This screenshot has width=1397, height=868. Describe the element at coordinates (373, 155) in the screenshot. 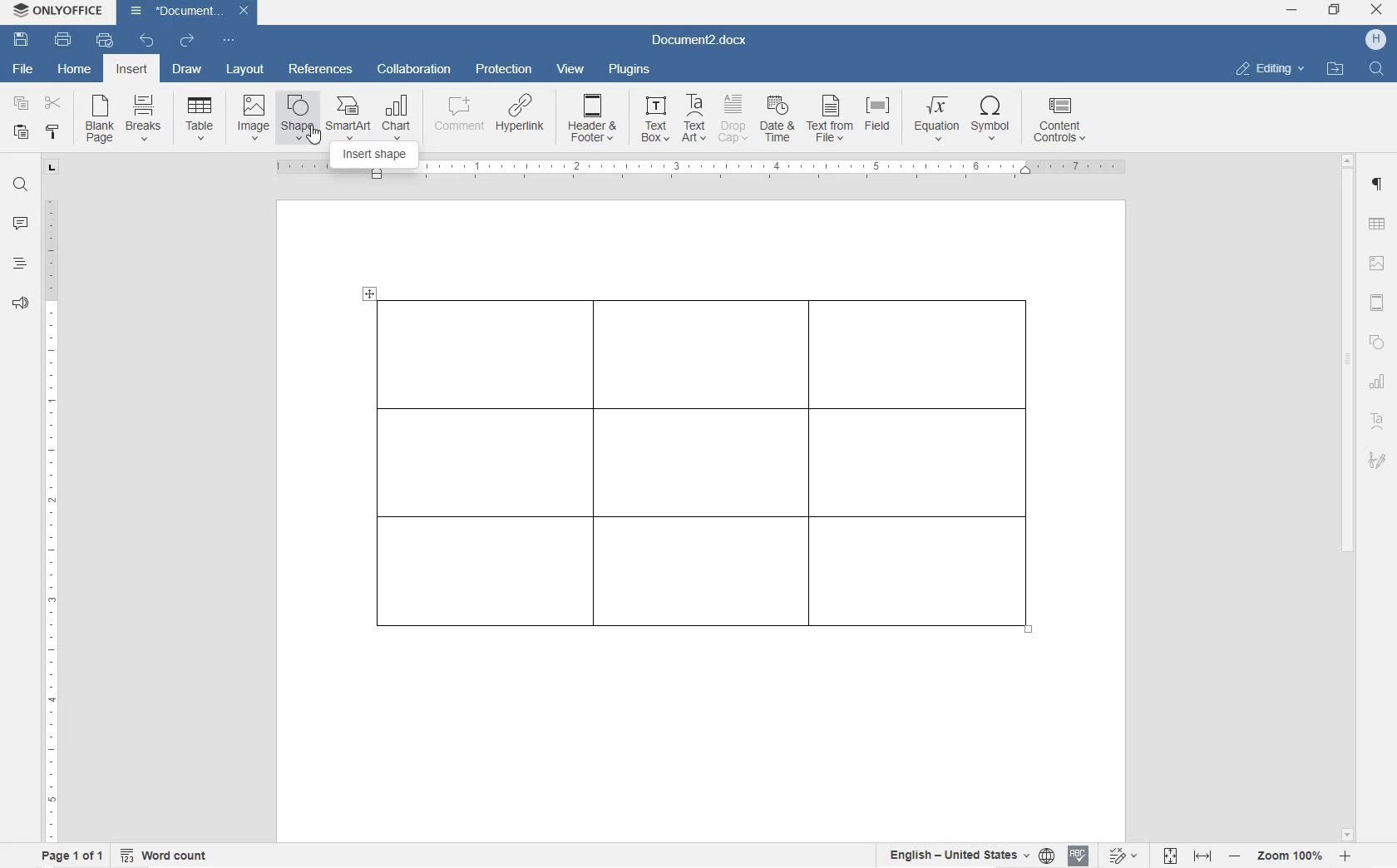

I see `INSERT SHAPE` at that location.